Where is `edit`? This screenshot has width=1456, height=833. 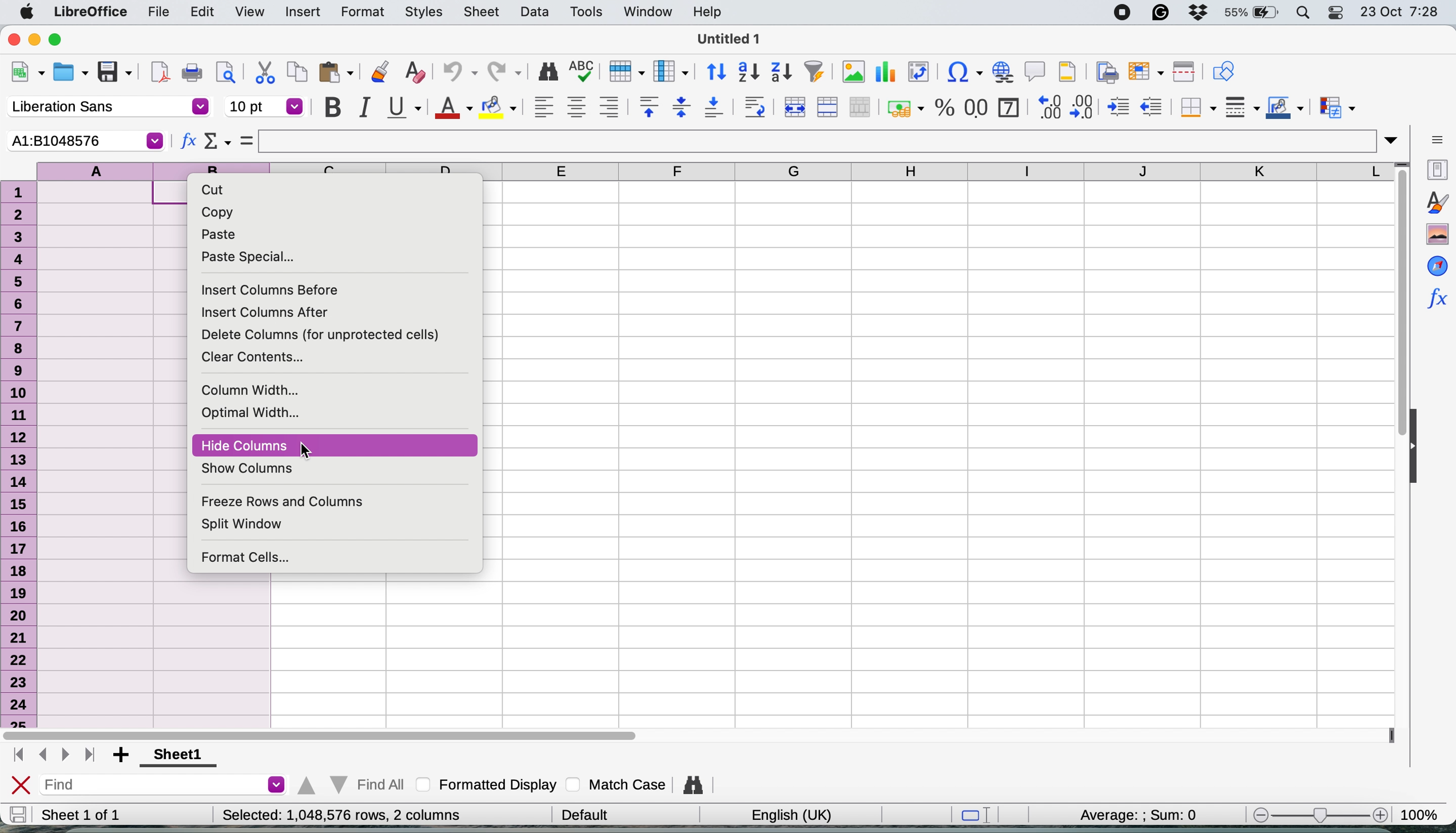 edit is located at coordinates (202, 13).